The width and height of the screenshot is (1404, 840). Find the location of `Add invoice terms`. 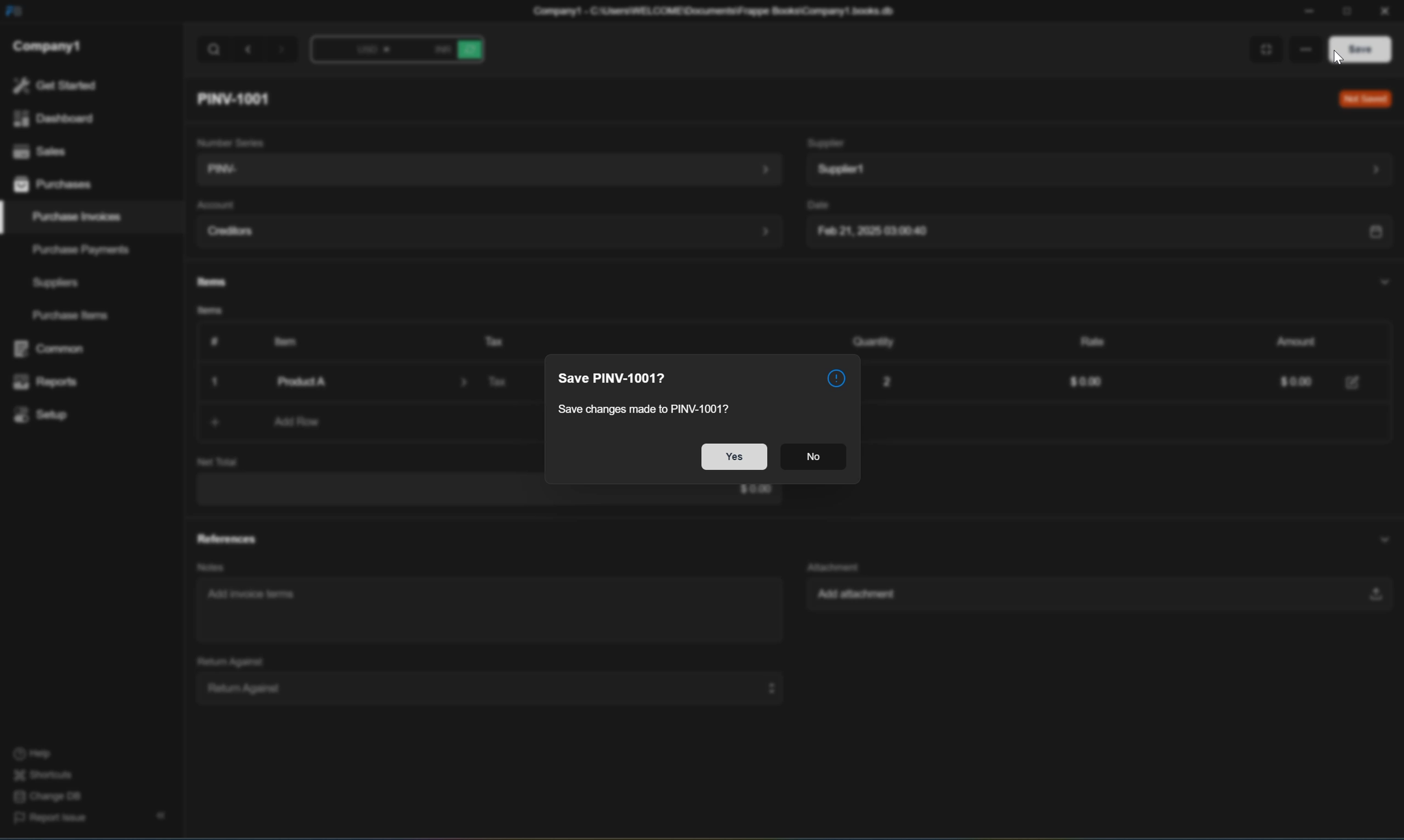

Add invoice terms is located at coordinates (256, 598).